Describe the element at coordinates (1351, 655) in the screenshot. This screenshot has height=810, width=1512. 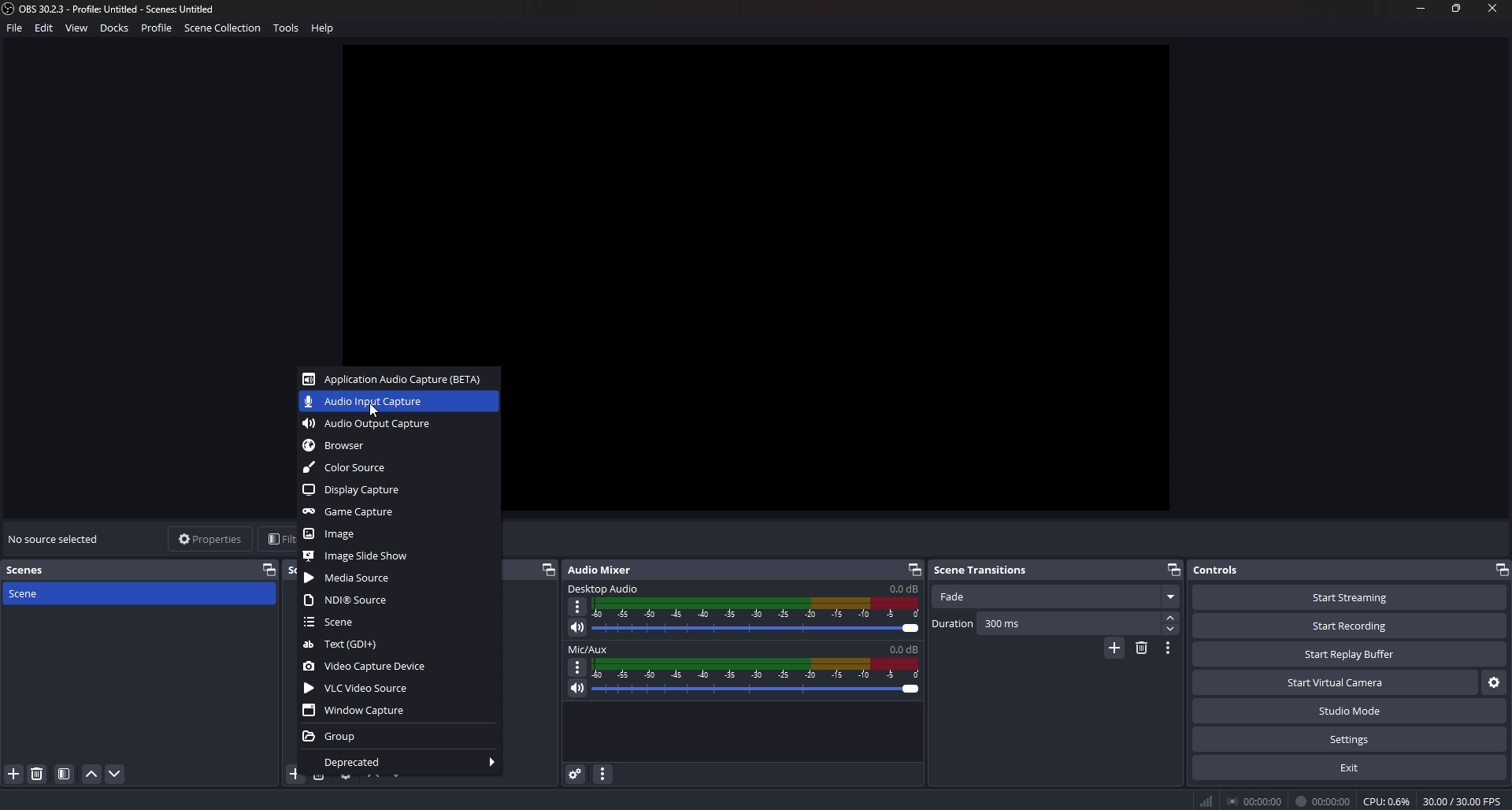
I see `start replay buffer` at that location.